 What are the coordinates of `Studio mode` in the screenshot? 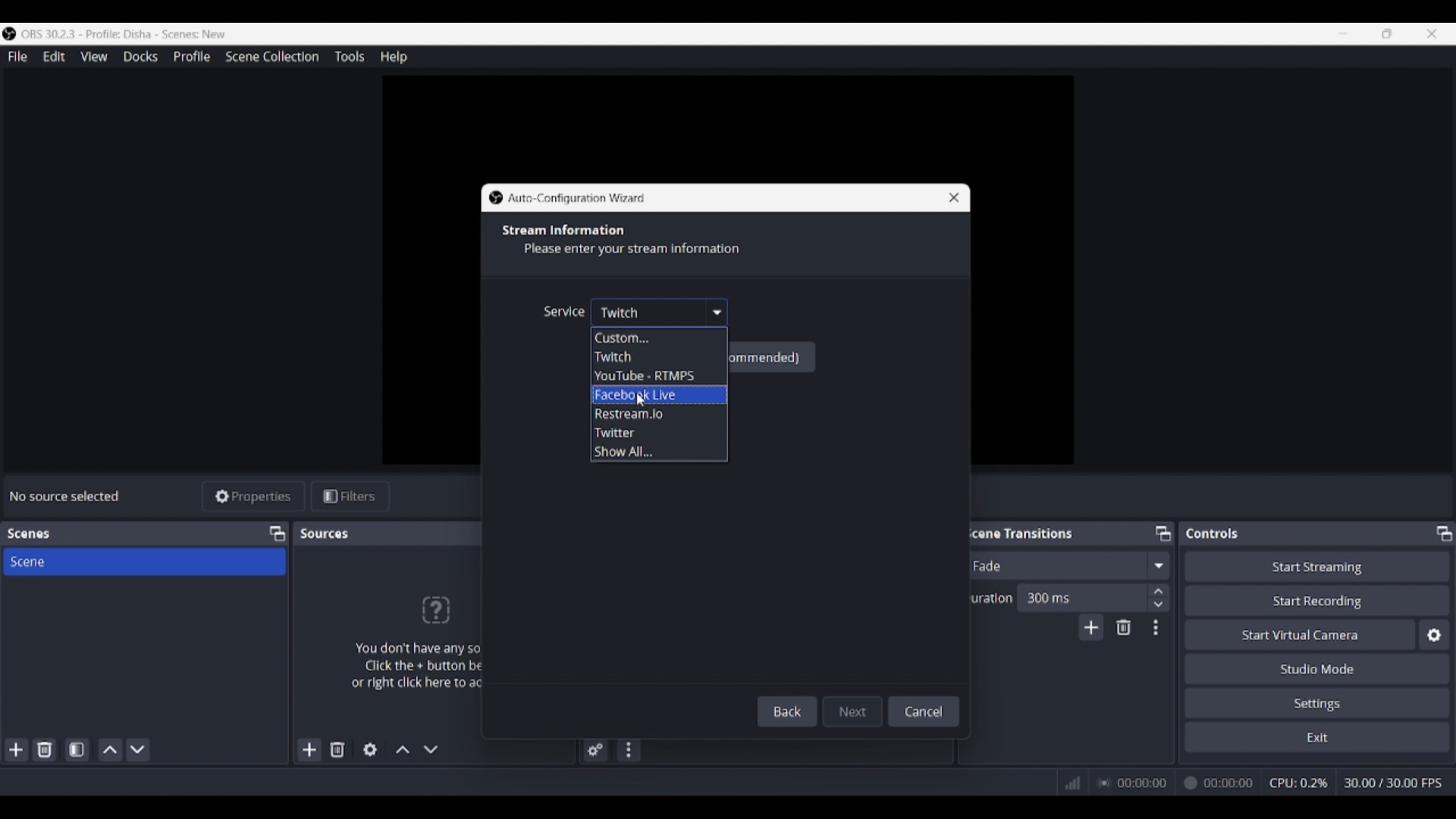 It's located at (1317, 668).